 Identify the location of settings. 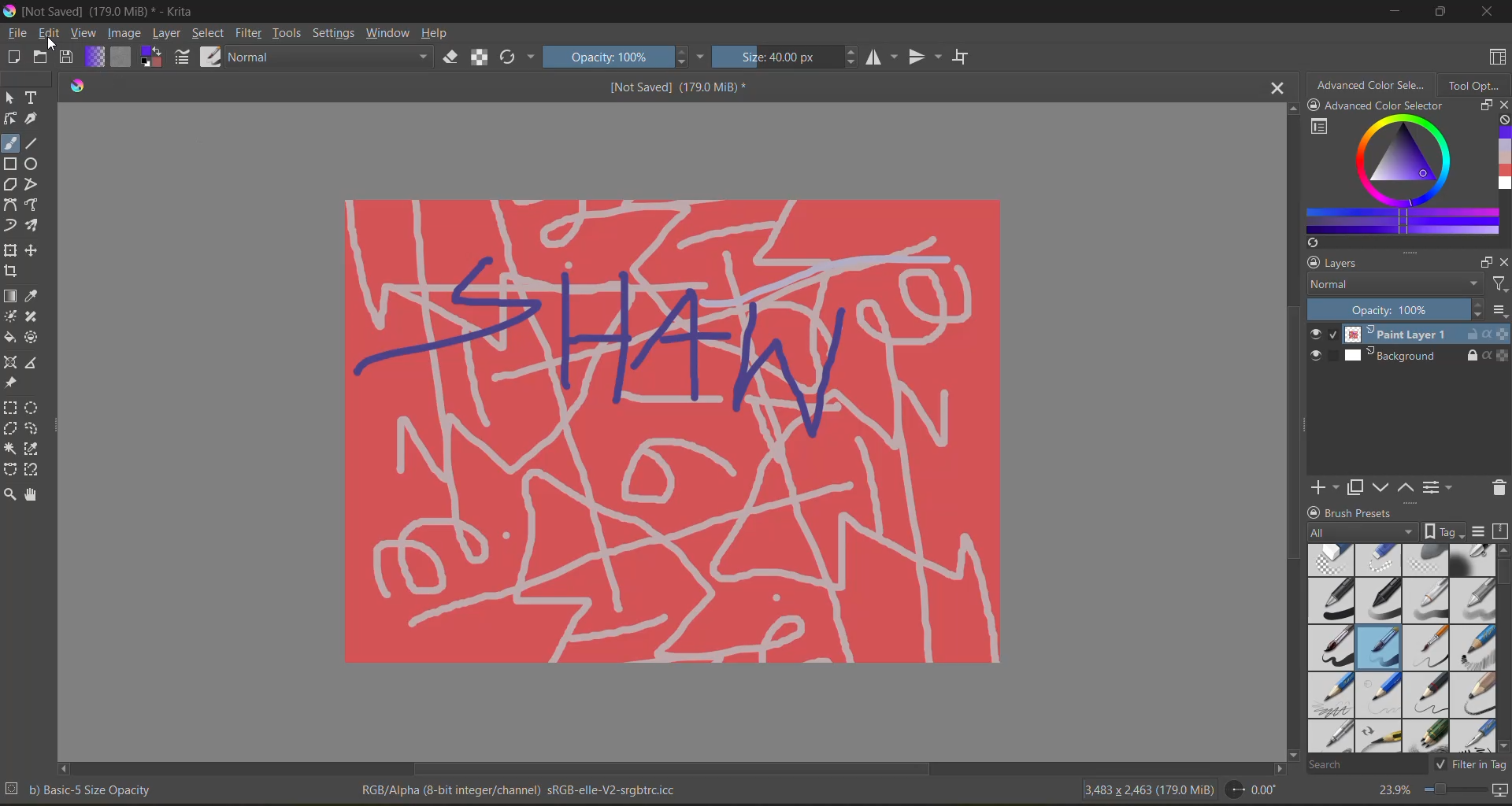
(334, 33).